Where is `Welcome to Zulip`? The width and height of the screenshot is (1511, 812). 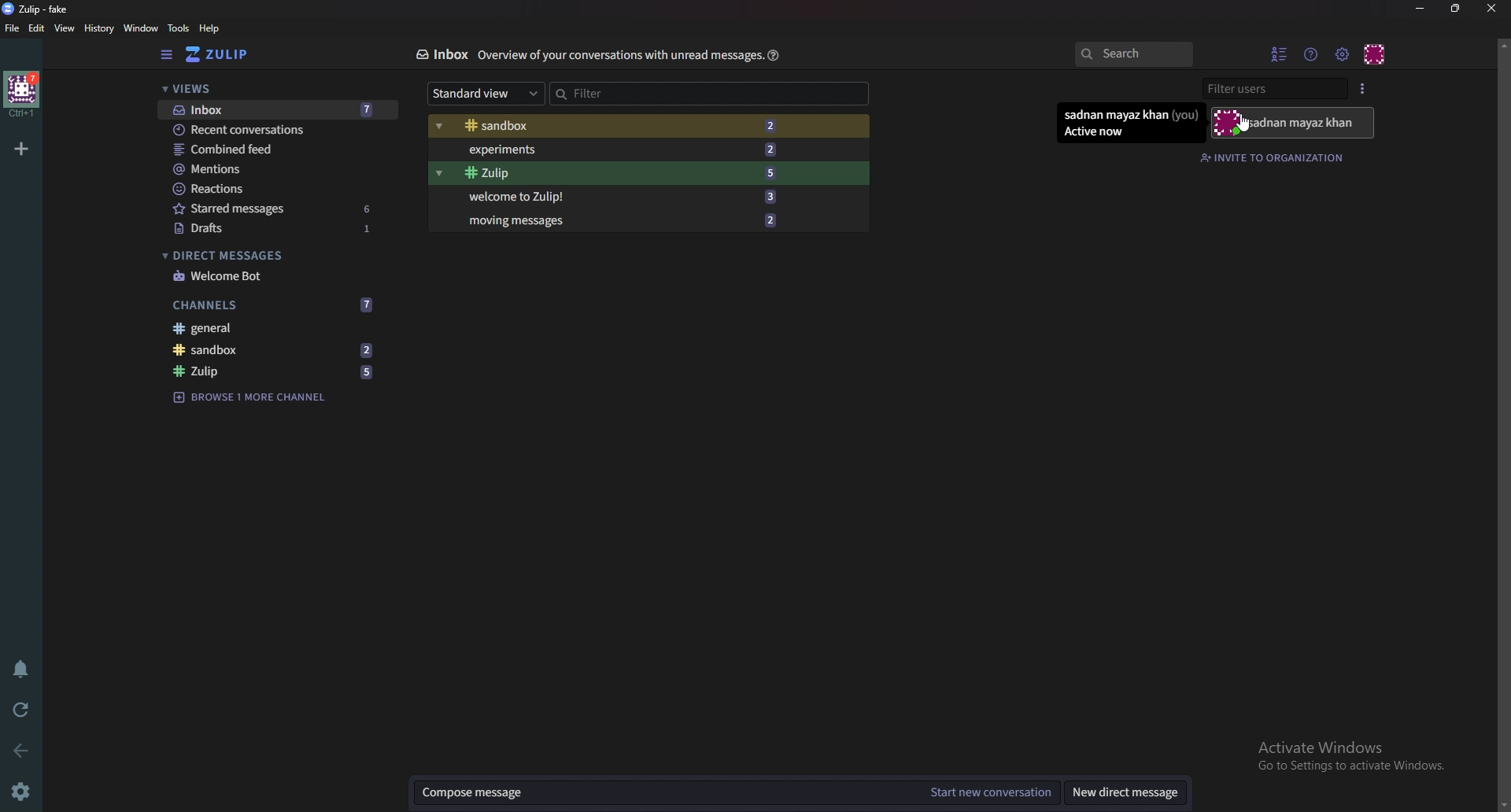
Welcome to Zulip is located at coordinates (619, 195).